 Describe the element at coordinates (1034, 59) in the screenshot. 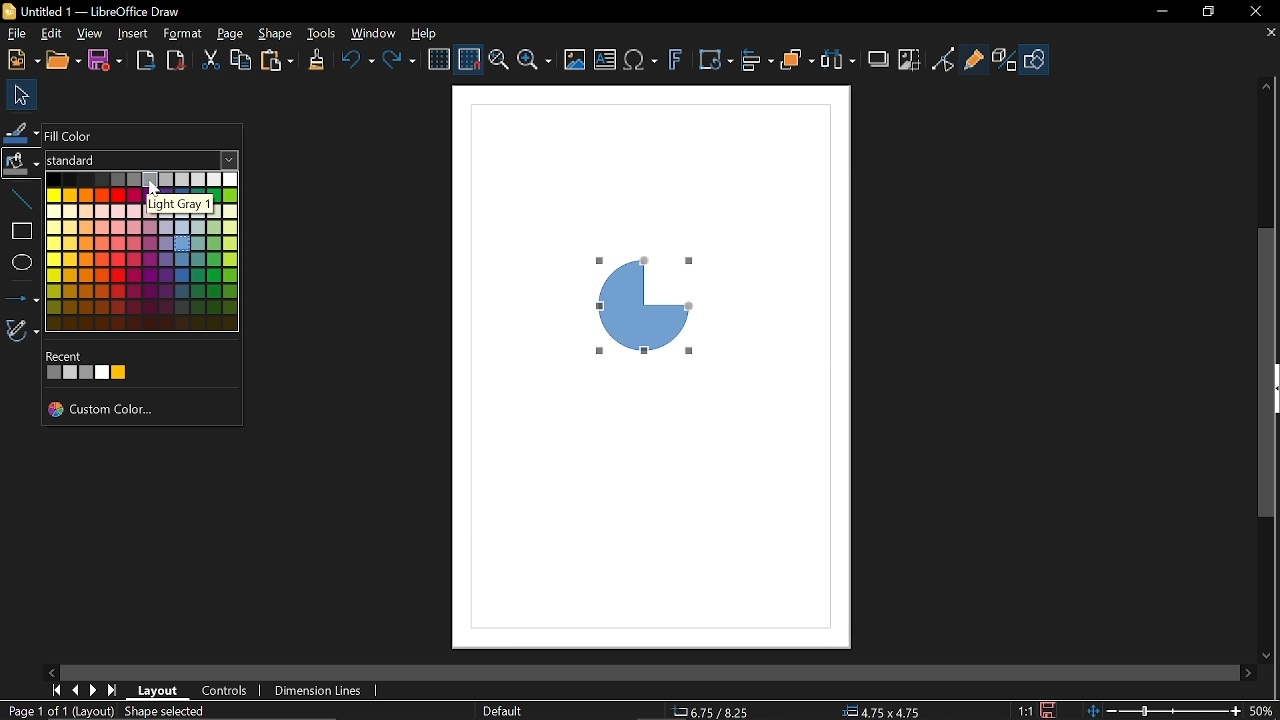

I see `Show draw functions` at that location.